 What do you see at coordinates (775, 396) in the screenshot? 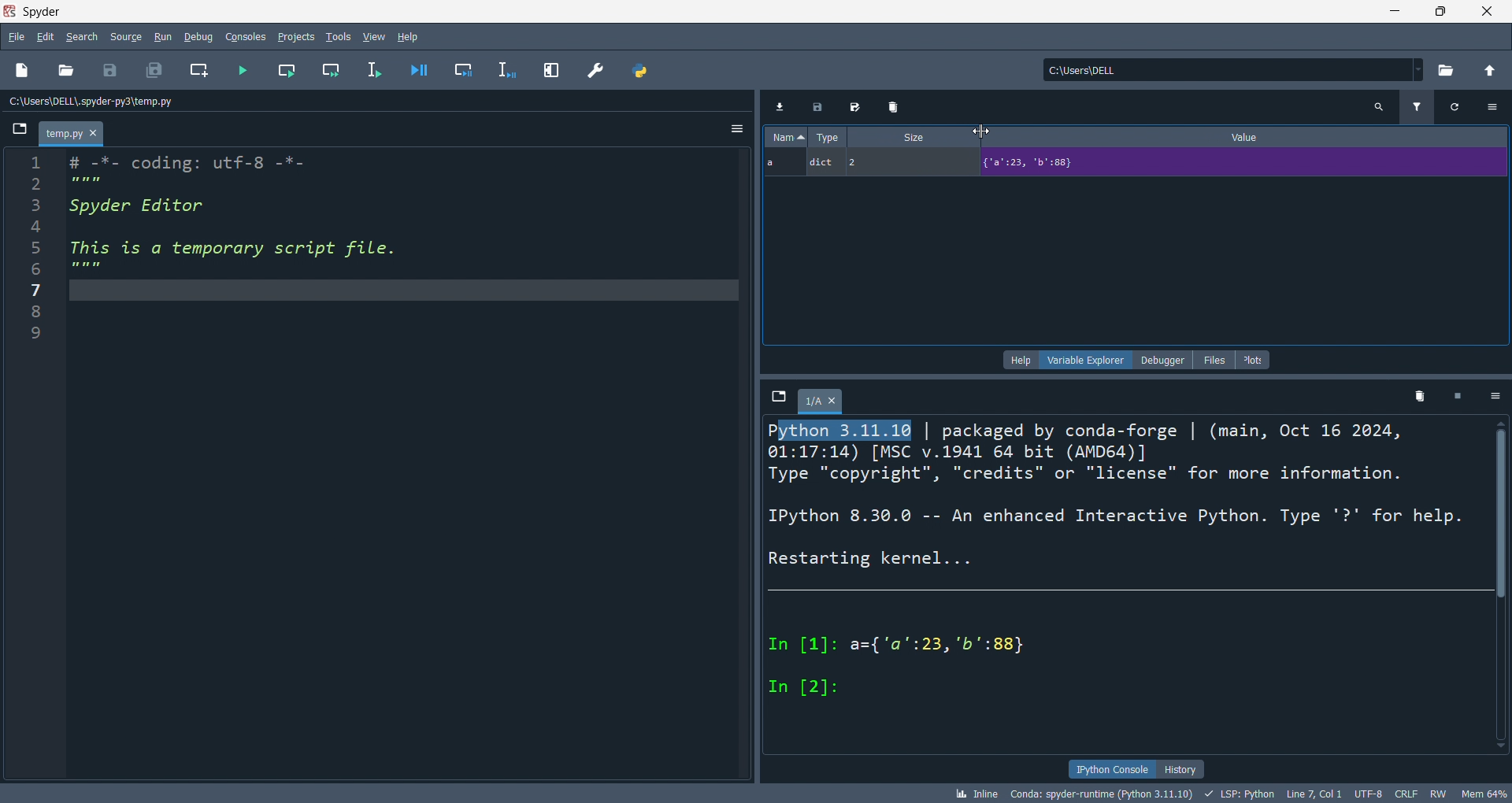
I see `browse tabs` at bounding box center [775, 396].